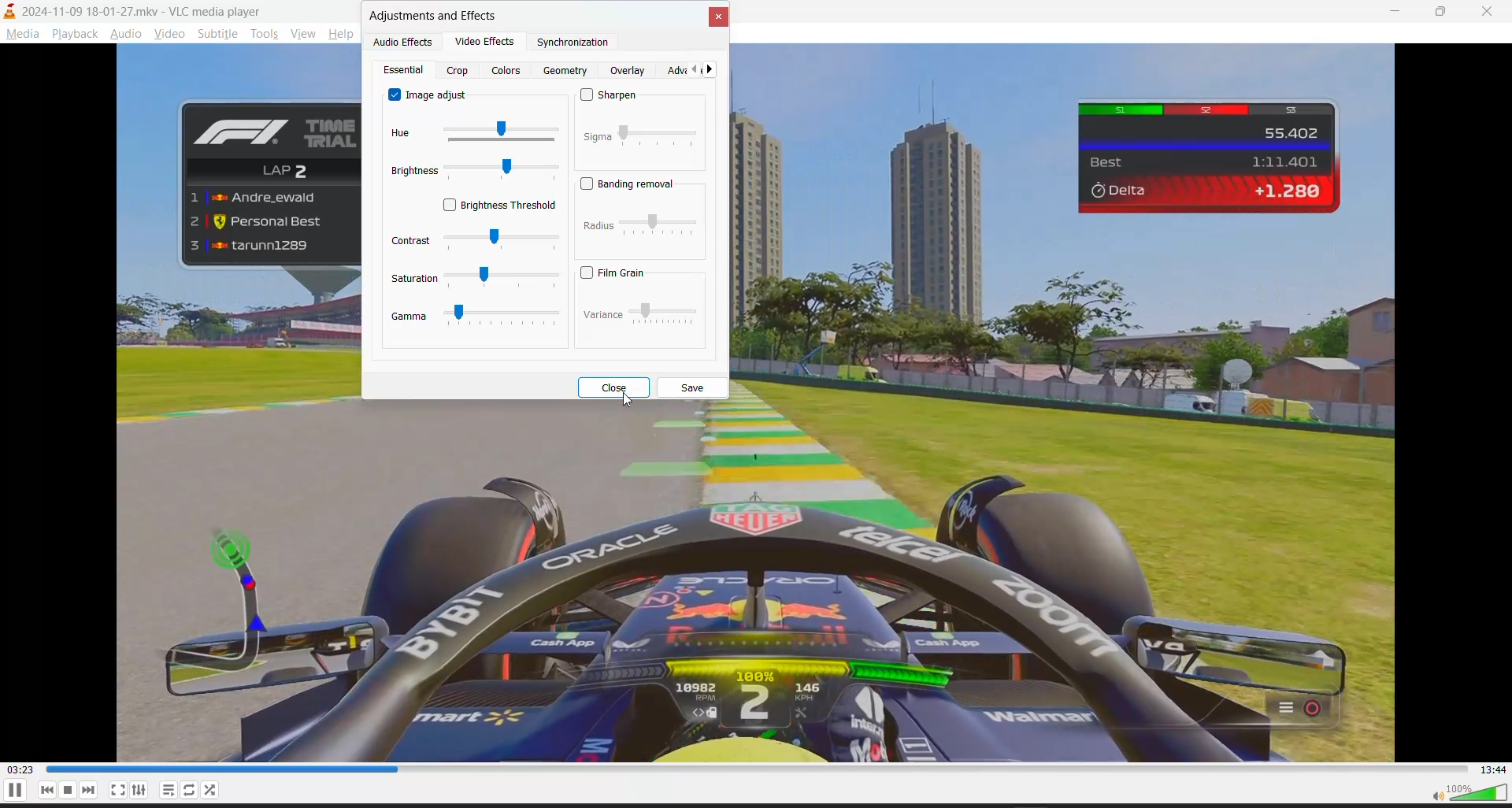 The image size is (1512, 808). I want to click on synchronization, so click(578, 46).